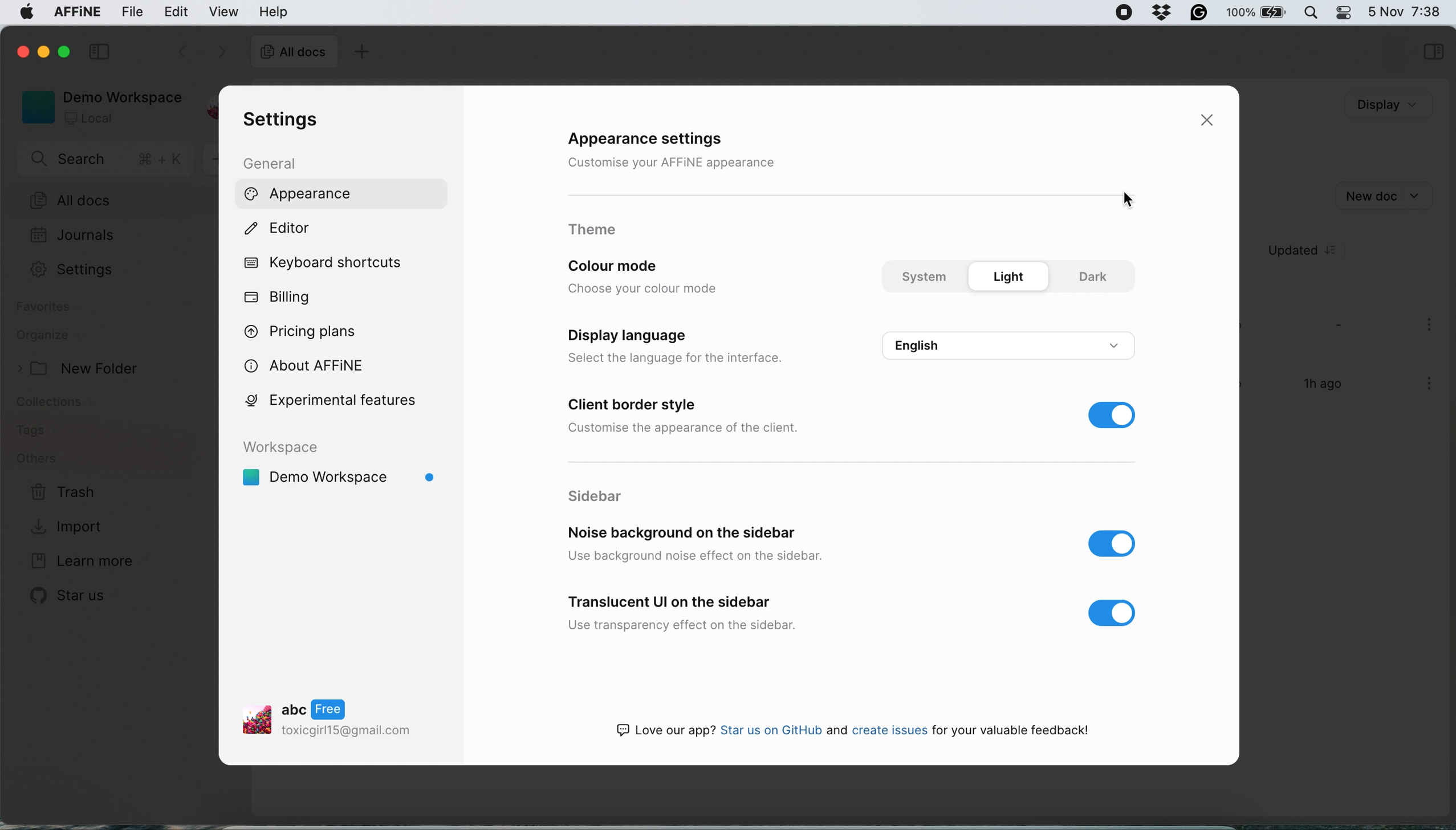 Image resolution: width=1456 pixels, height=830 pixels. Describe the element at coordinates (104, 161) in the screenshot. I see `search` at that location.